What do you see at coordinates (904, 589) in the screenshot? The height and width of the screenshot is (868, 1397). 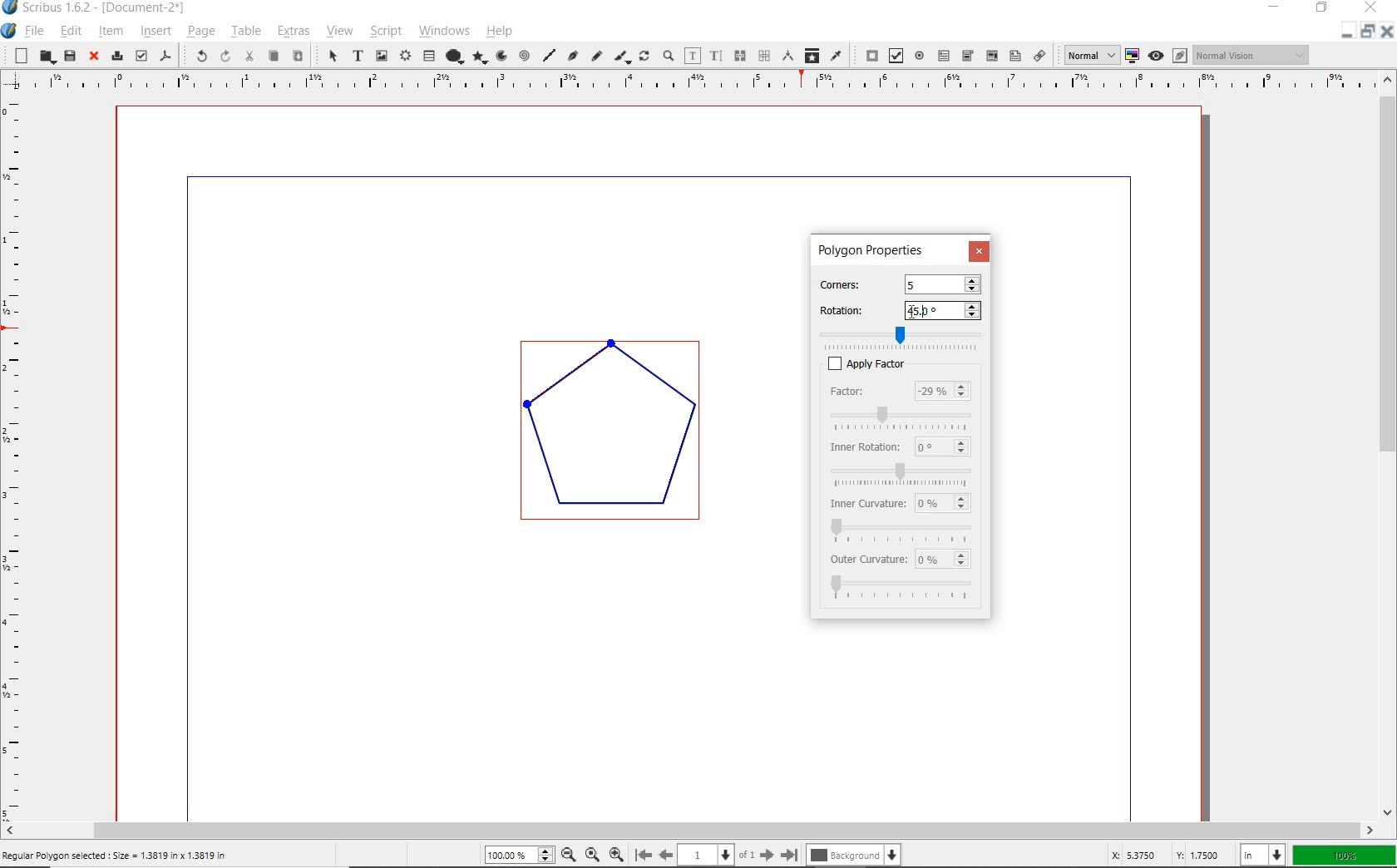 I see `outer curvature slider` at bounding box center [904, 589].